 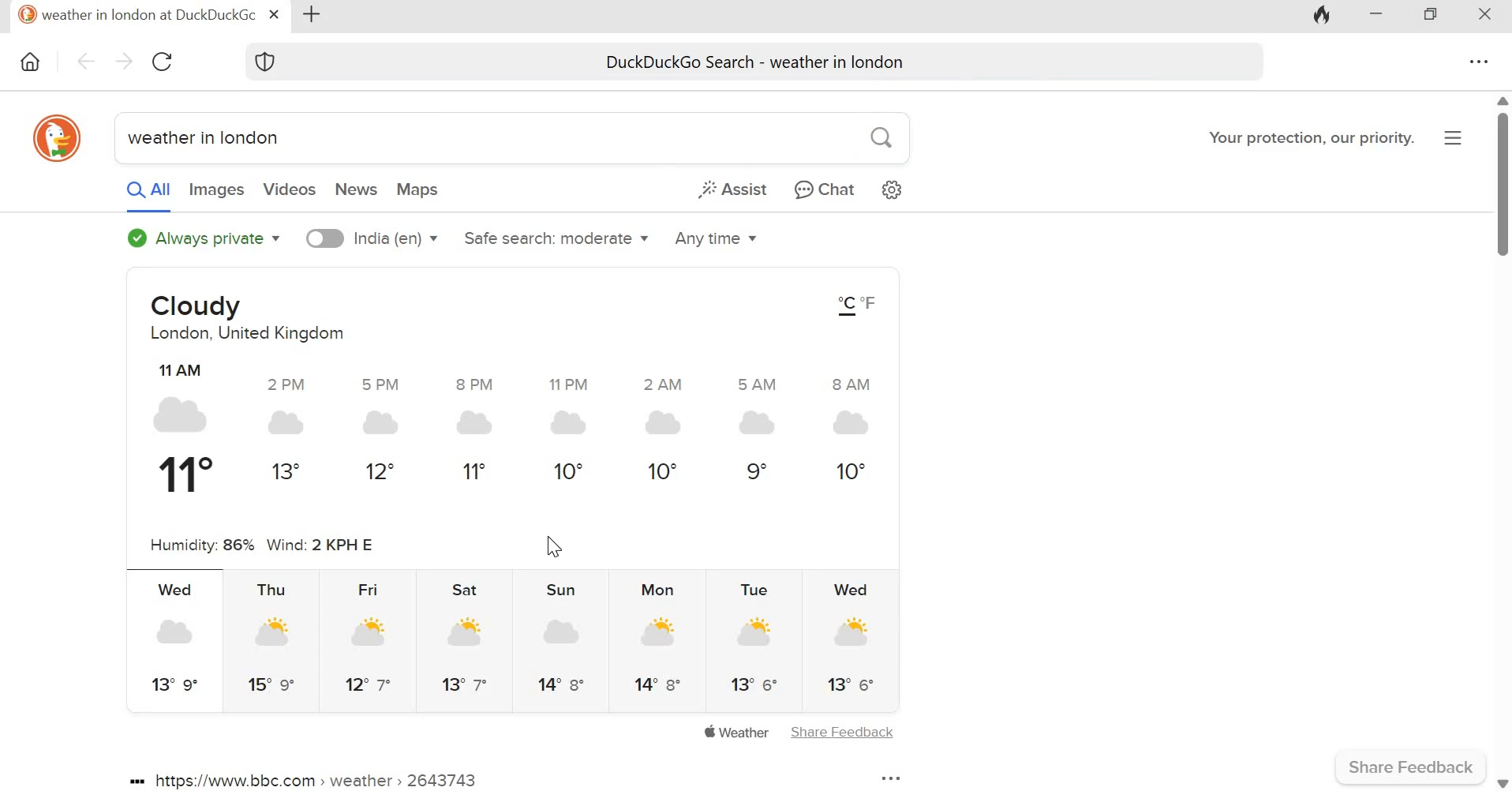 What do you see at coordinates (464, 590) in the screenshot?
I see `Sat` at bounding box center [464, 590].